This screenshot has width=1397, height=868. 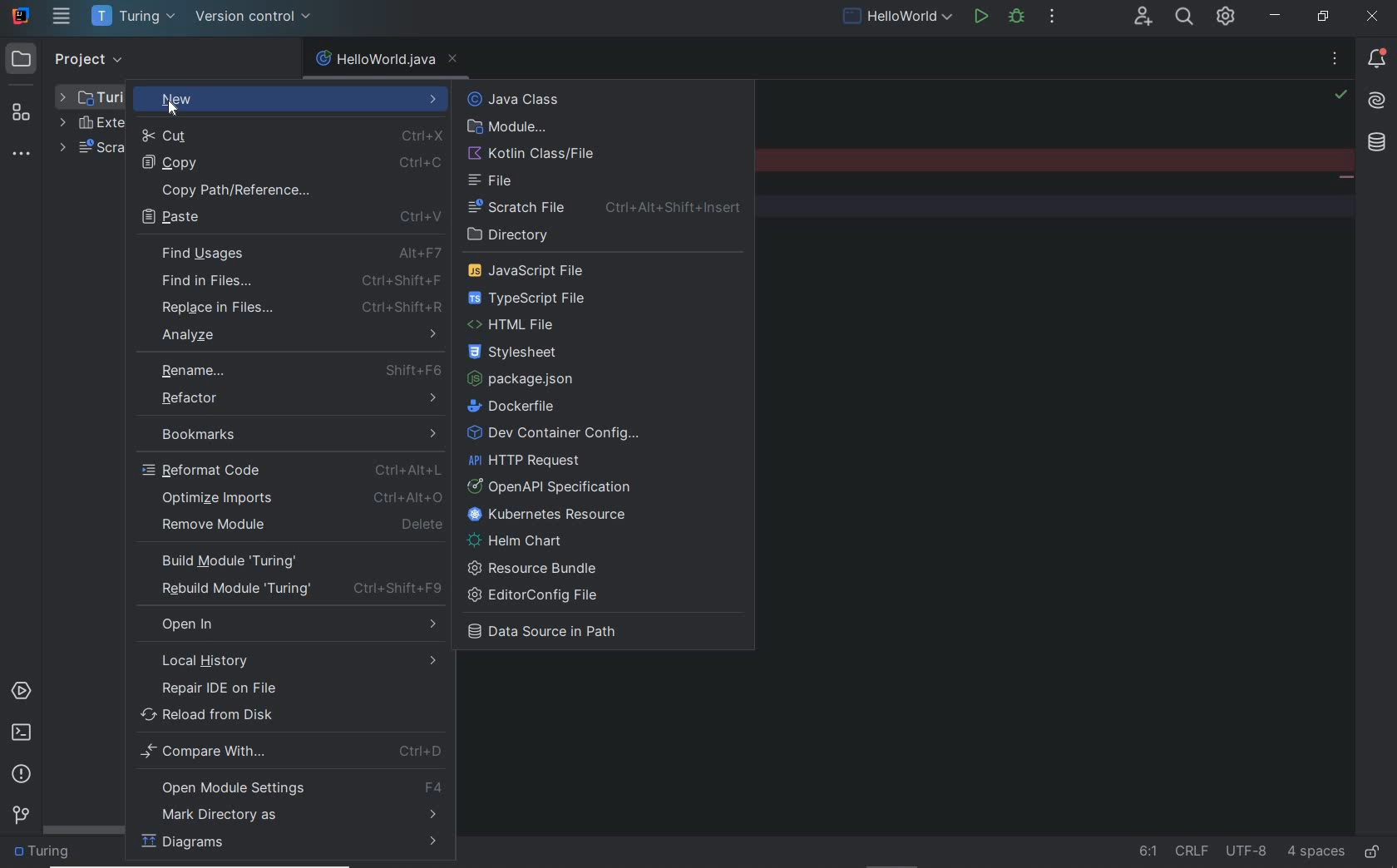 What do you see at coordinates (1377, 101) in the screenshot?
I see `AI Assistant` at bounding box center [1377, 101].